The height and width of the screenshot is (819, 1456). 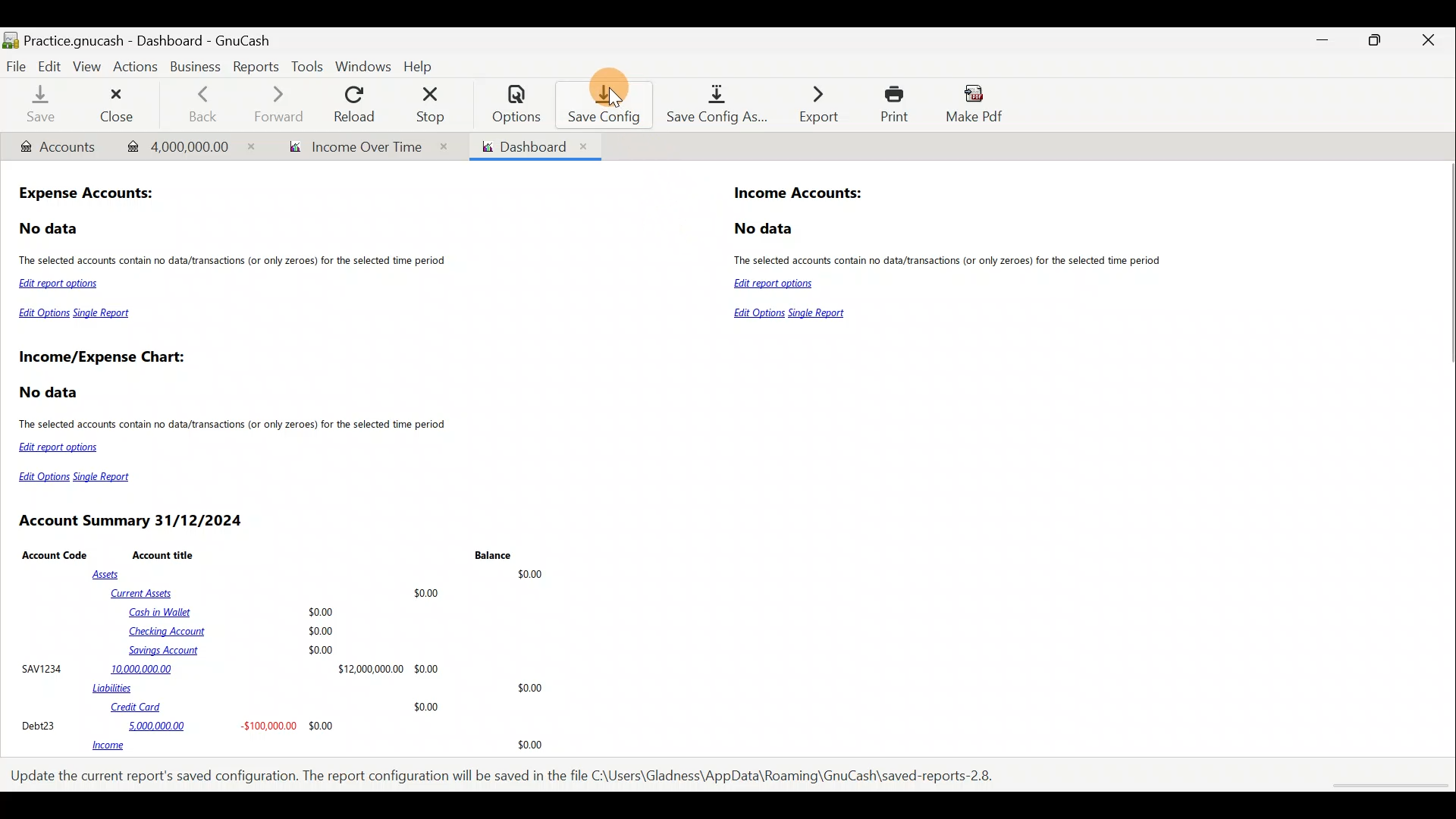 What do you see at coordinates (89, 67) in the screenshot?
I see `View` at bounding box center [89, 67].